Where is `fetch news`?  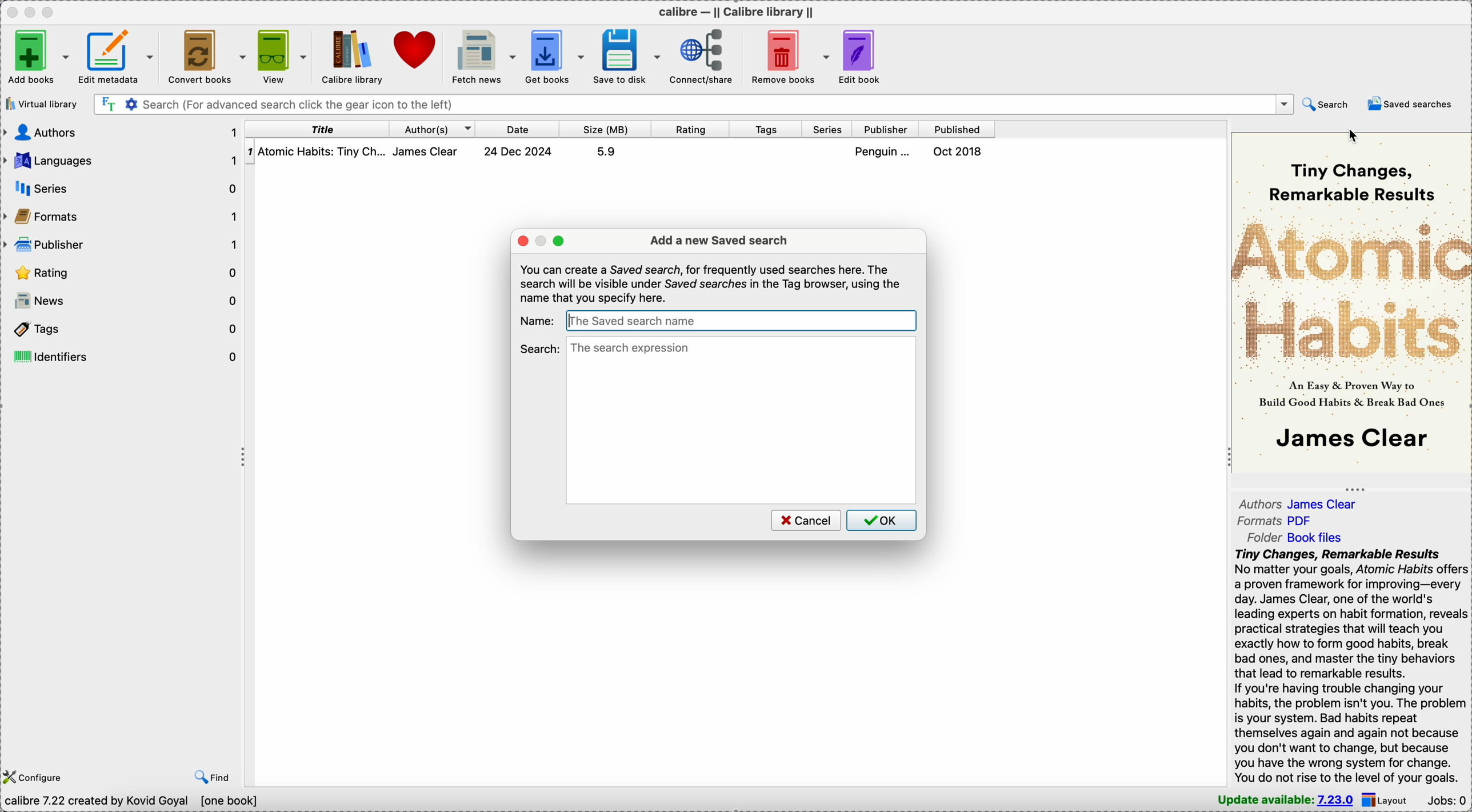
fetch news is located at coordinates (485, 55).